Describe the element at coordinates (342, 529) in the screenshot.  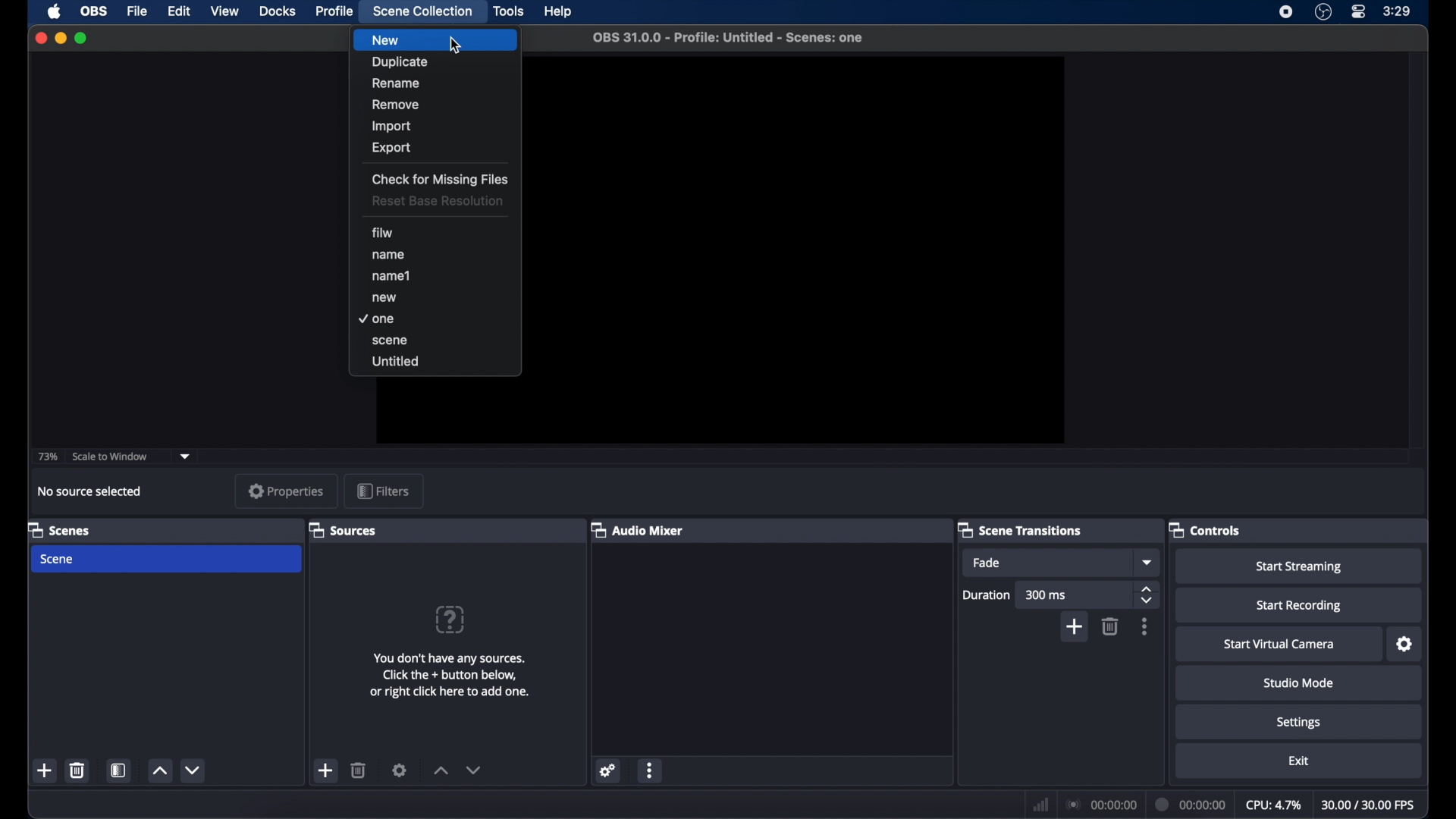
I see `sources` at that location.